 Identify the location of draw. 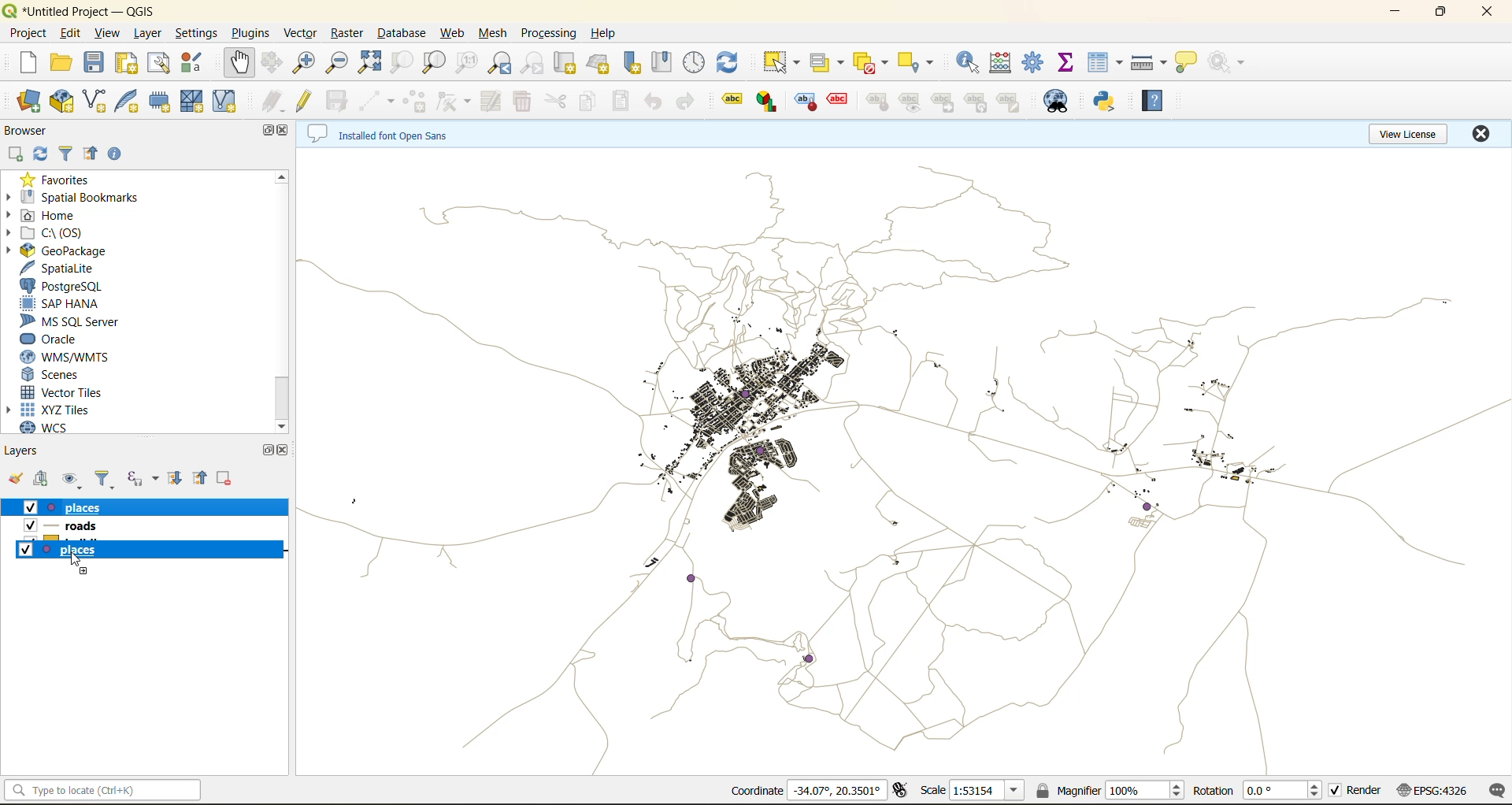
(450, 102).